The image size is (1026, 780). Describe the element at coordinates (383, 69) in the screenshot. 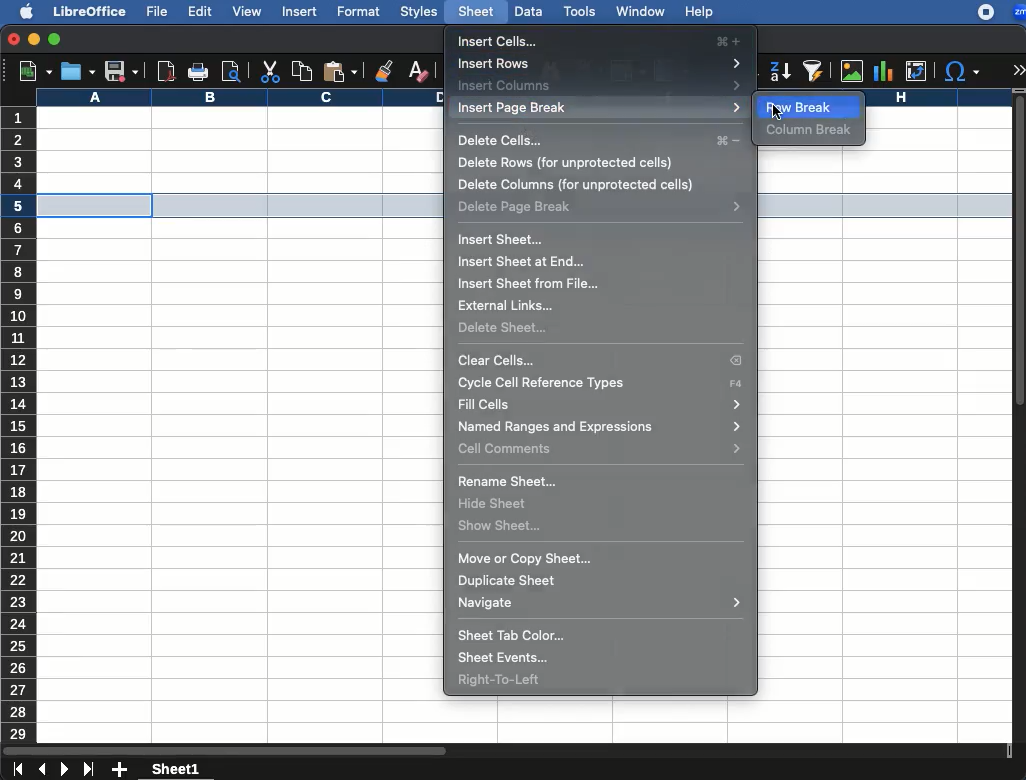

I see `clone formatting` at that location.